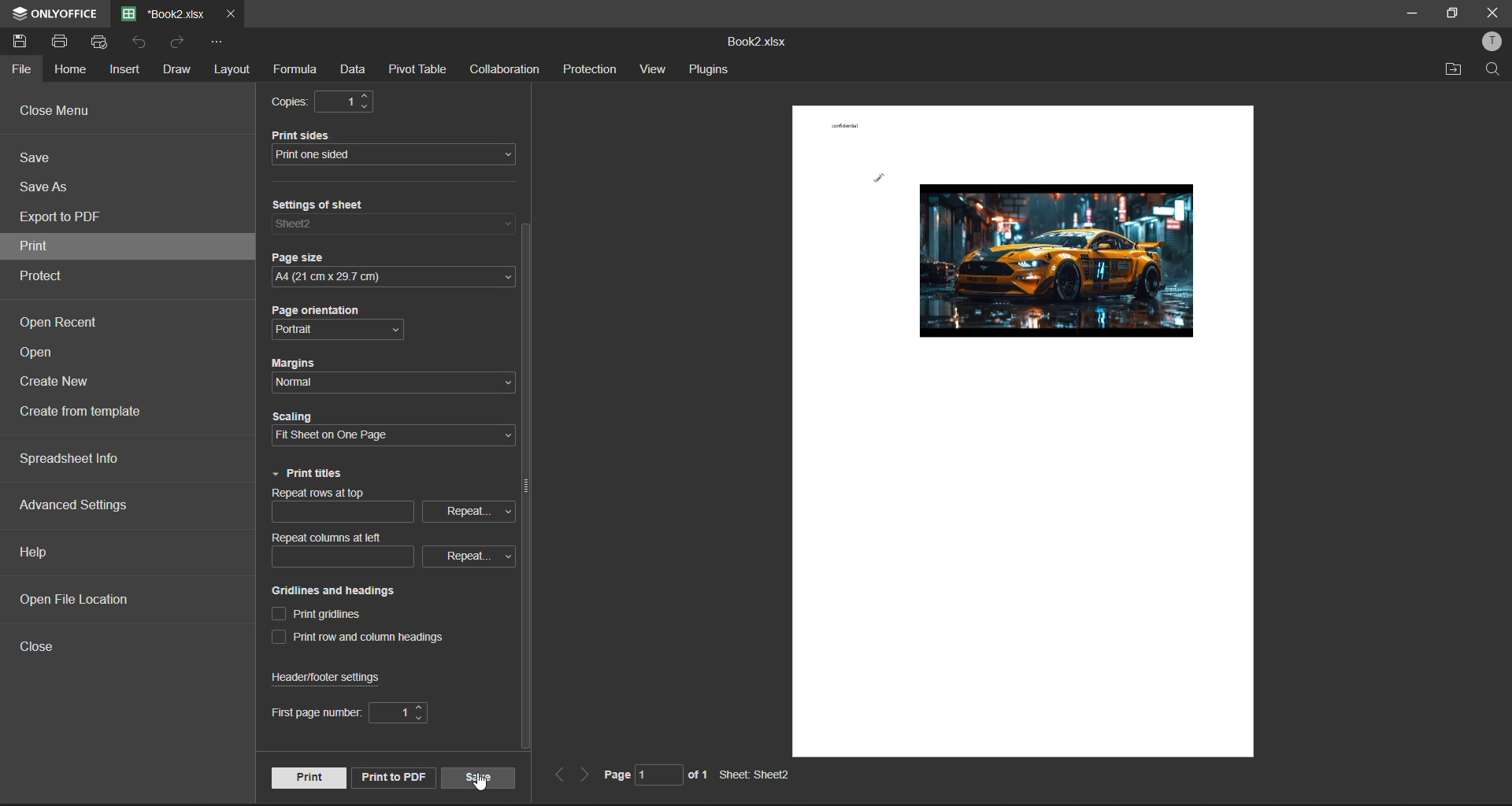 The width and height of the screenshot is (1512, 806). Describe the element at coordinates (70, 460) in the screenshot. I see `spreadsheet info` at that location.